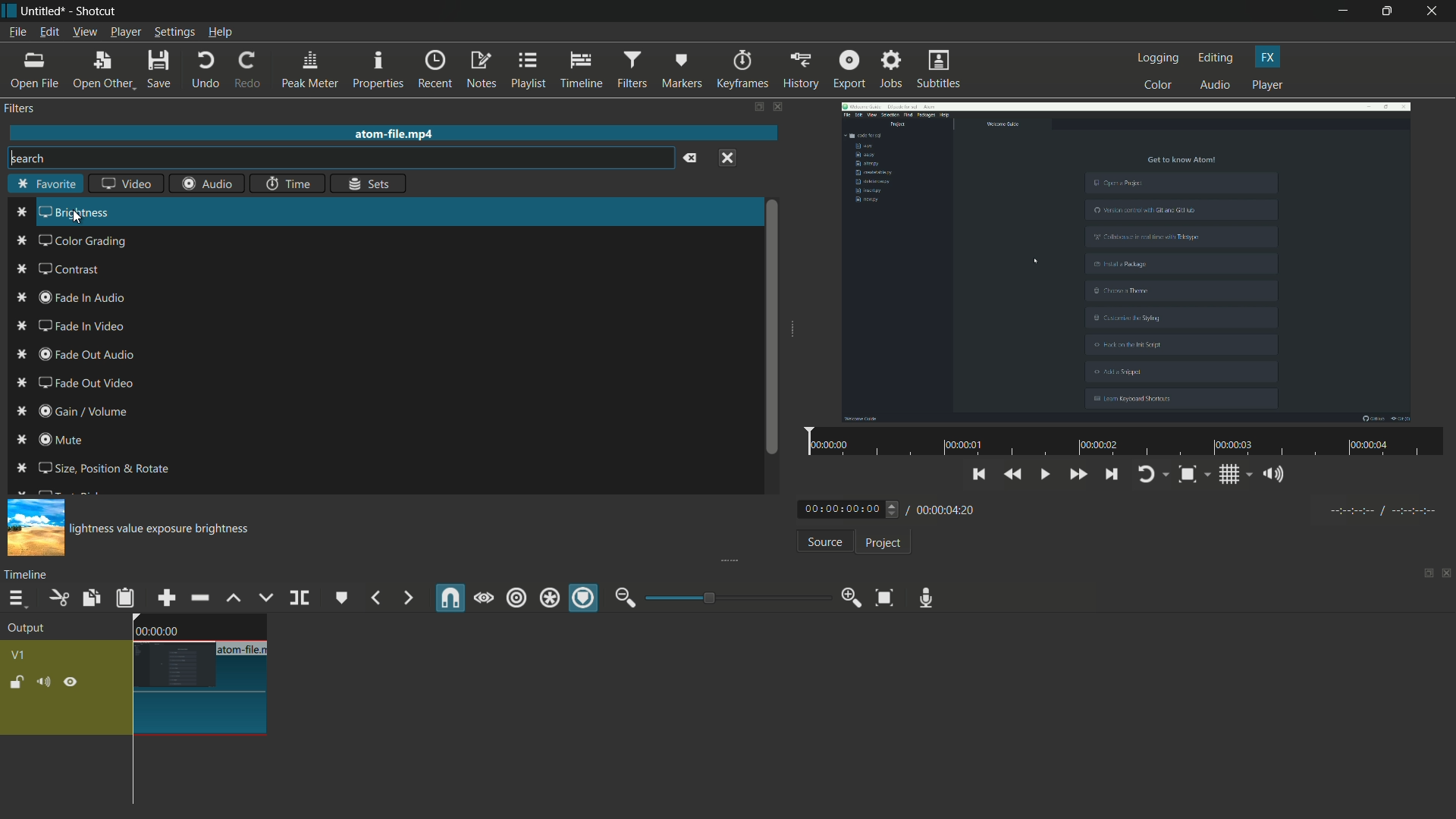  What do you see at coordinates (127, 32) in the screenshot?
I see `player menu` at bounding box center [127, 32].